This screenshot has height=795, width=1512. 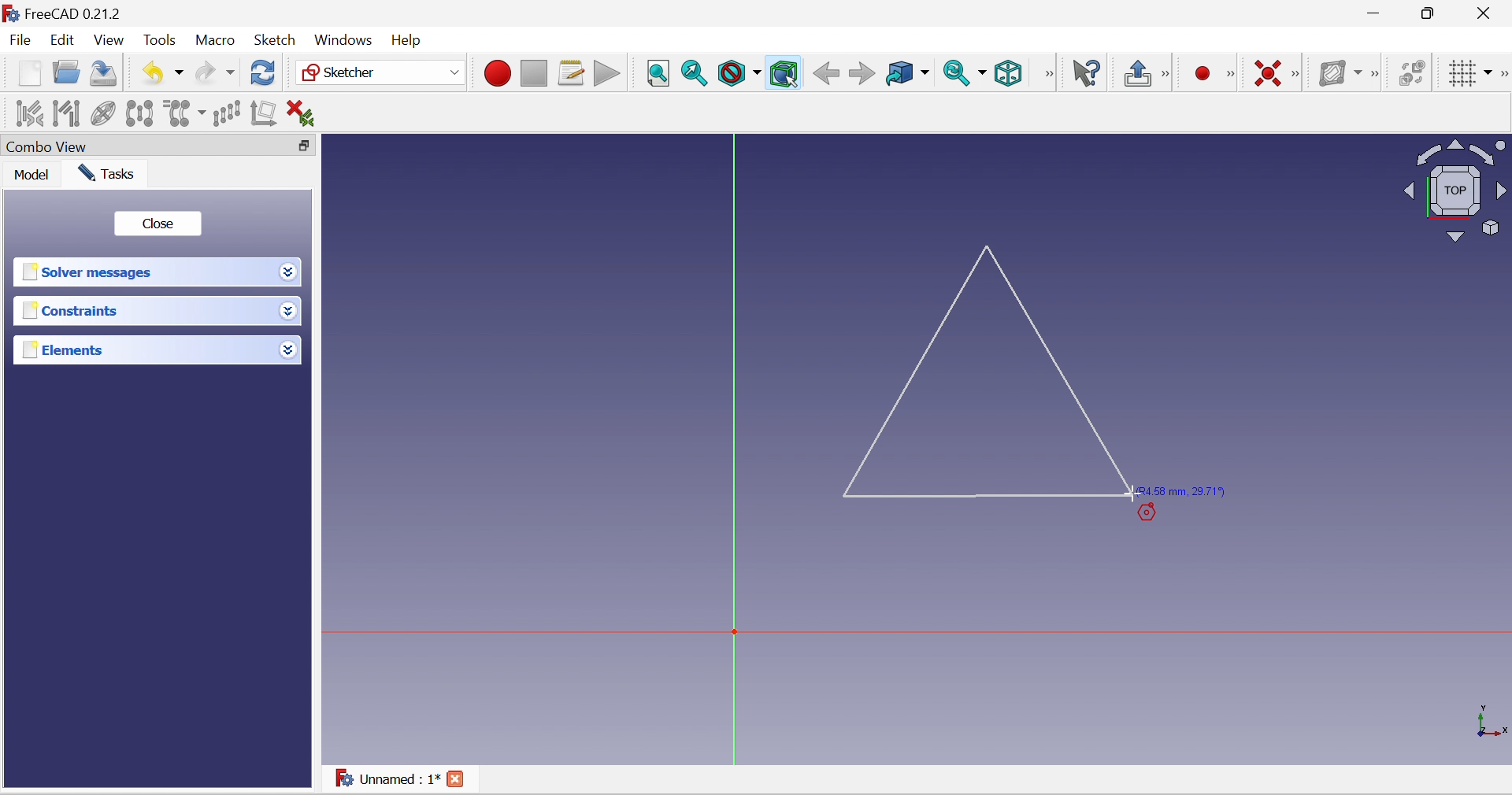 What do you see at coordinates (143, 311) in the screenshot?
I see `Constraints` at bounding box center [143, 311].